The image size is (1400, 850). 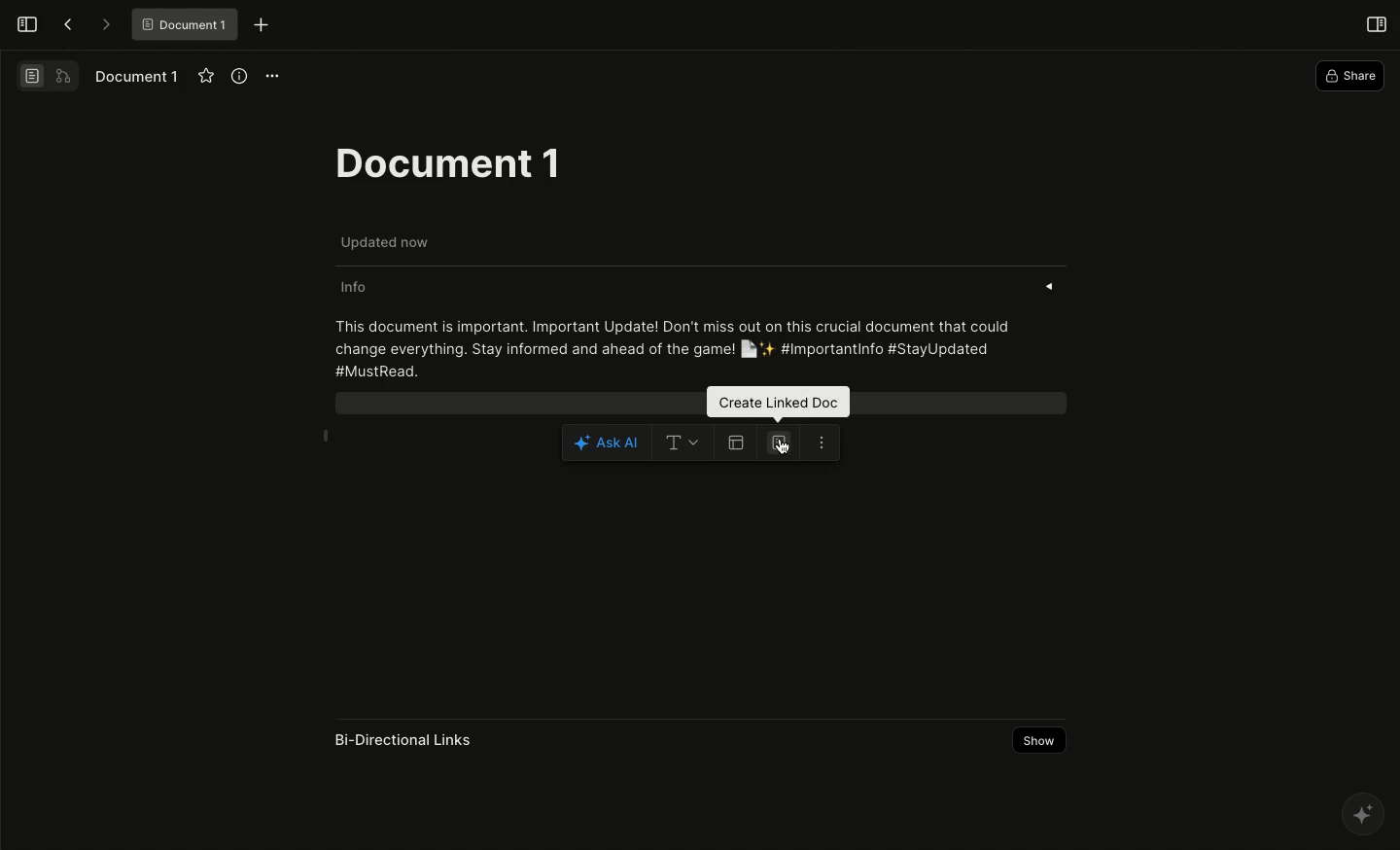 I want to click on Options, so click(x=273, y=77).